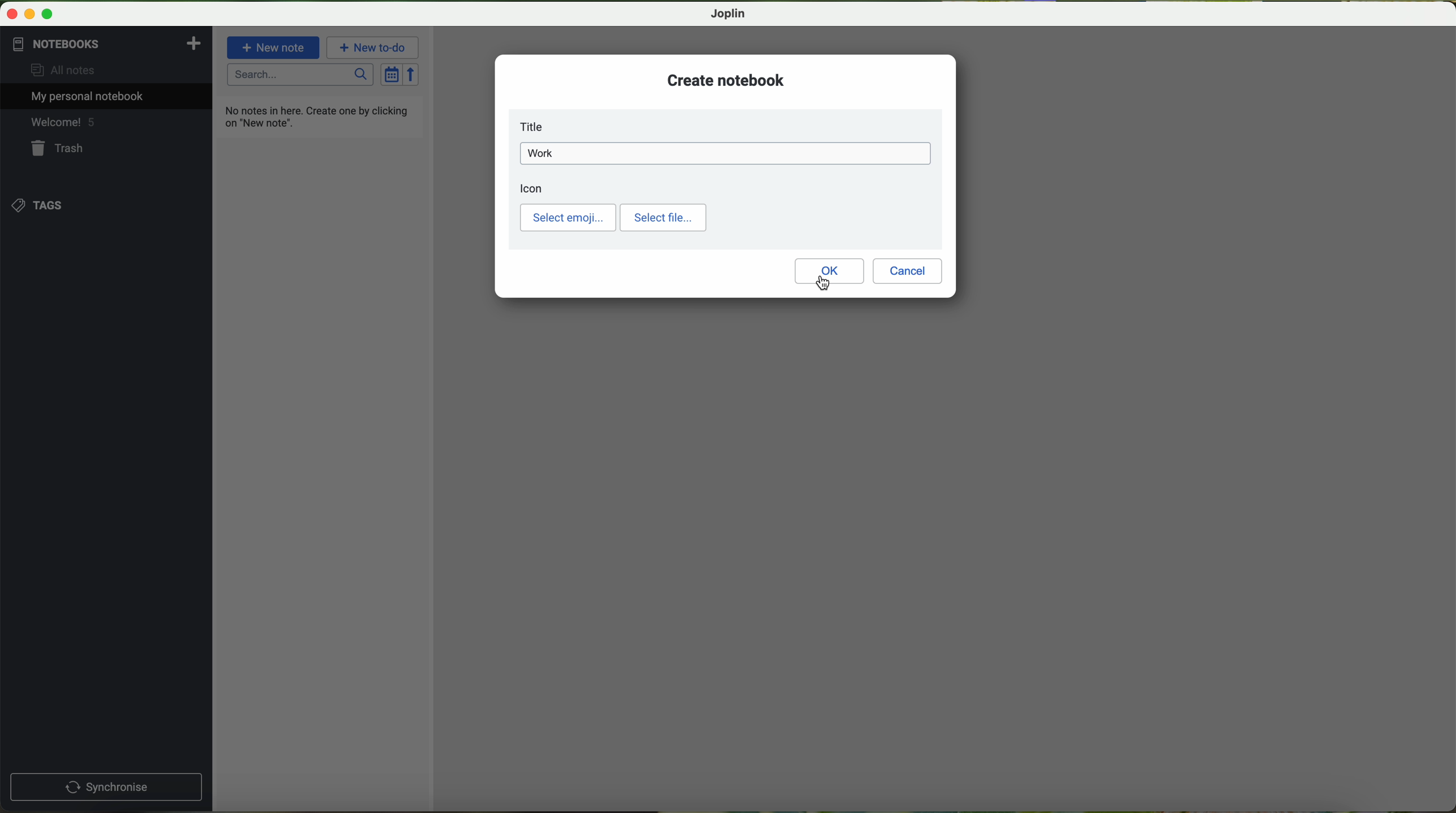 Image resolution: width=1456 pixels, height=813 pixels. I want to click on pointer on the notebooks button, so click(75, 44).